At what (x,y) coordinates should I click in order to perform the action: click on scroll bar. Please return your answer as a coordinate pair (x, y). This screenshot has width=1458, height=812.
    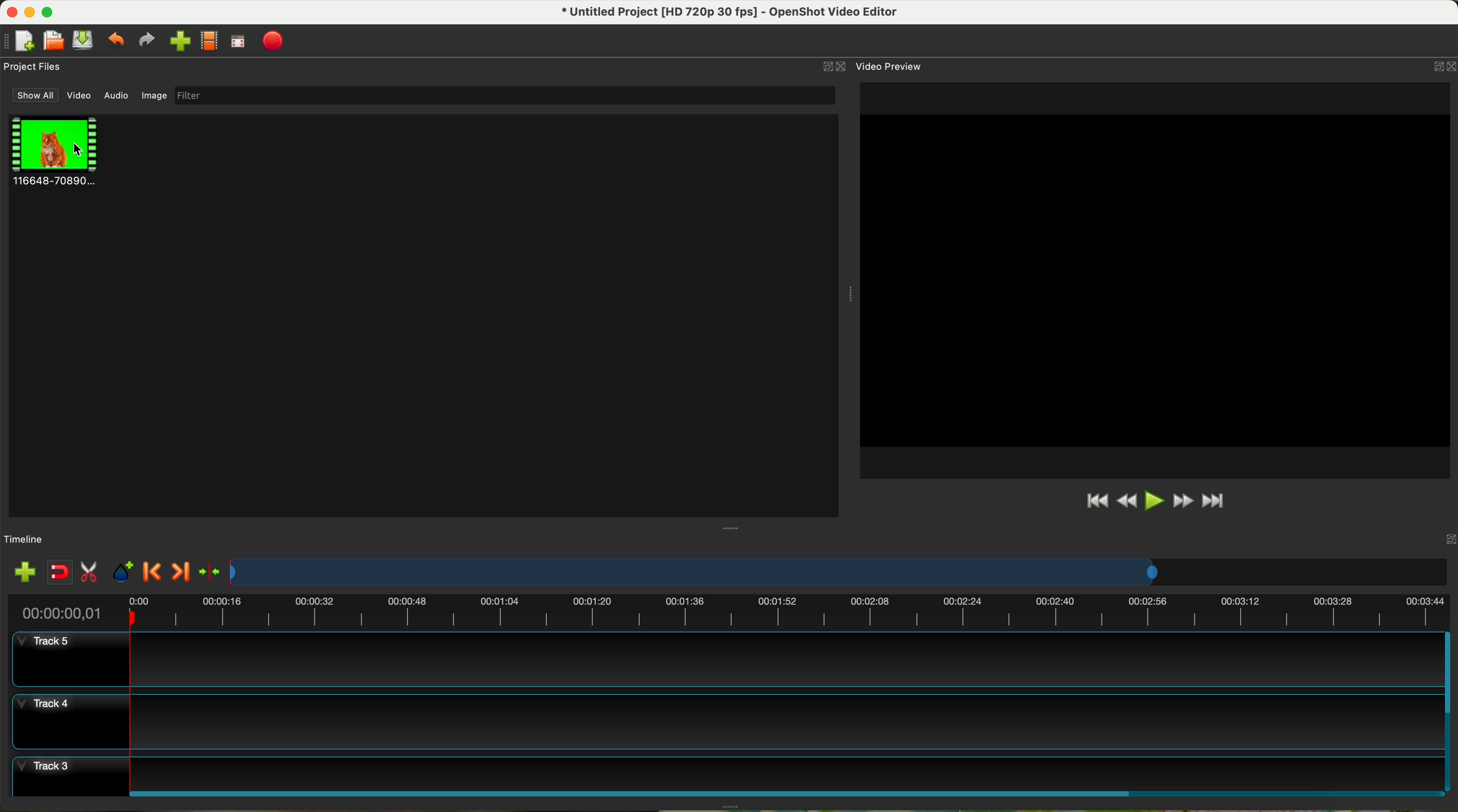
    Looking at the image, I should click on (1449, 711).